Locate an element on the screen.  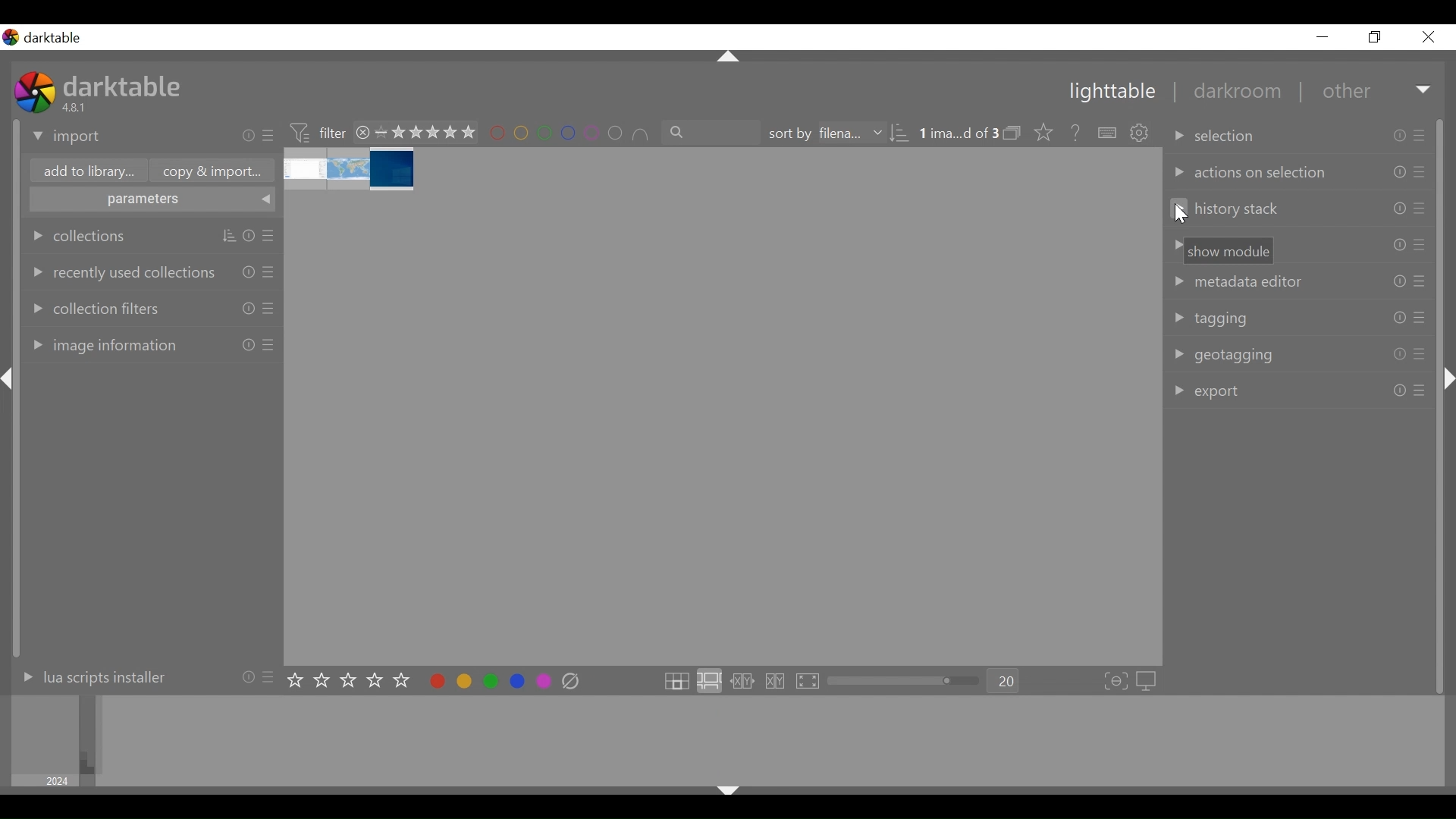
add to library is located at coordinates (86, 173).